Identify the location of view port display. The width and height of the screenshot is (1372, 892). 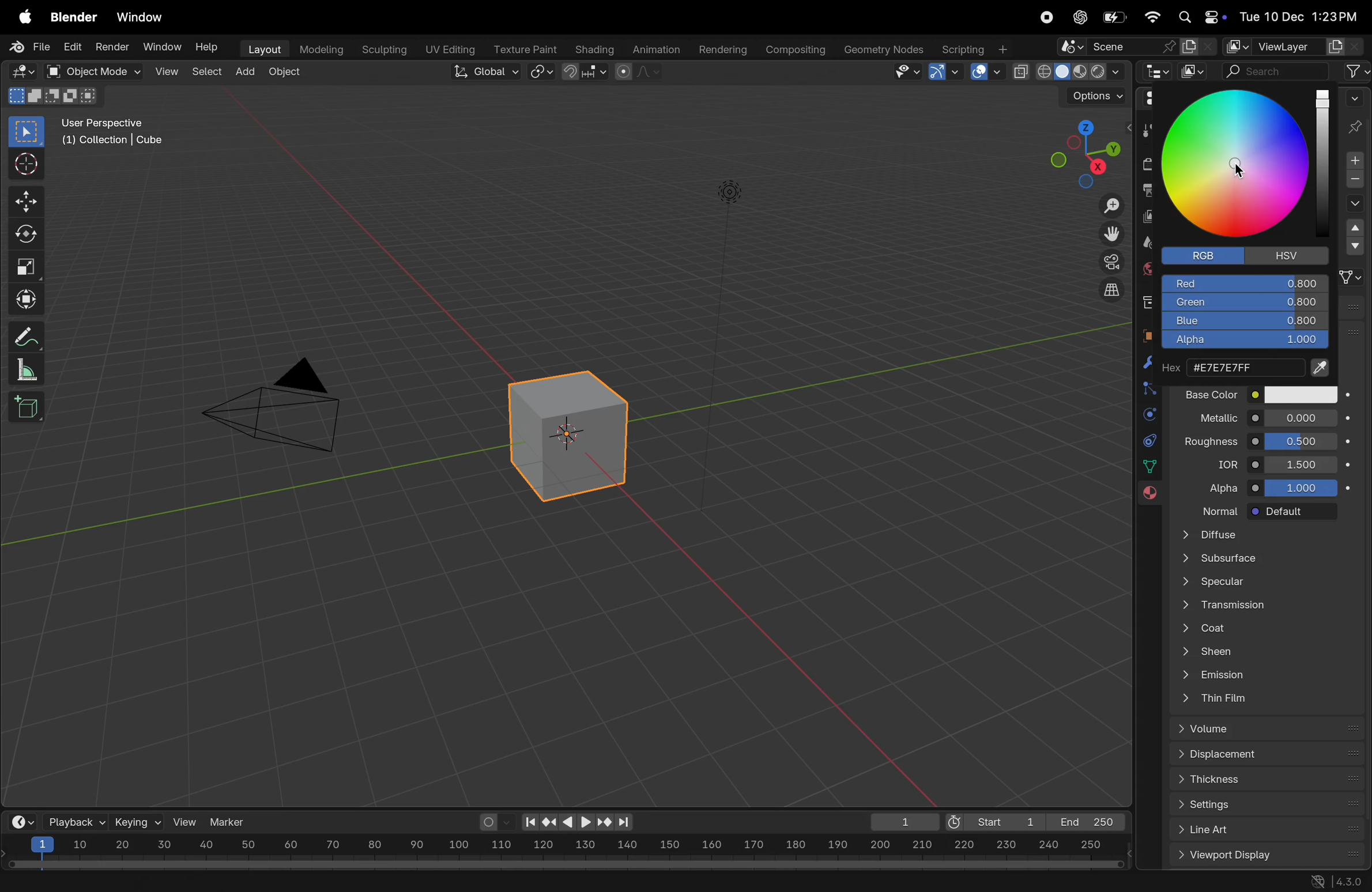
(1269, 856).